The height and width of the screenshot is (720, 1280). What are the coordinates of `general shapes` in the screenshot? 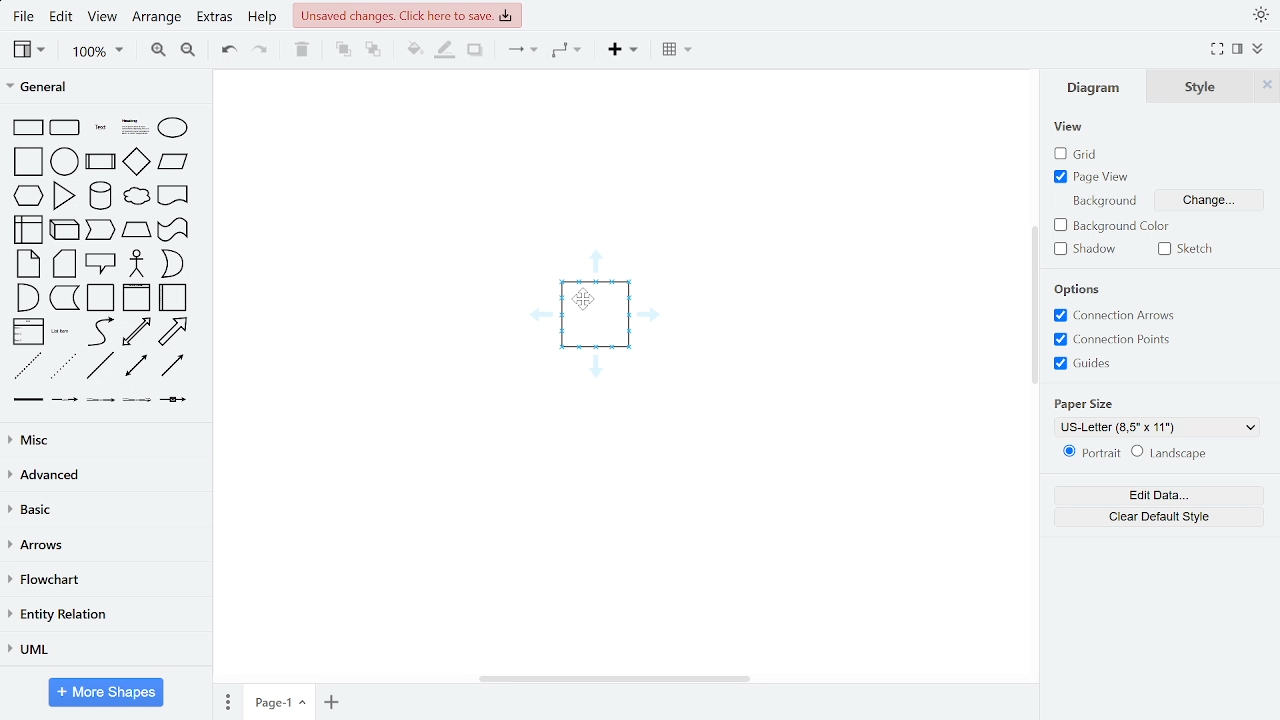 It's located at (99, 365).